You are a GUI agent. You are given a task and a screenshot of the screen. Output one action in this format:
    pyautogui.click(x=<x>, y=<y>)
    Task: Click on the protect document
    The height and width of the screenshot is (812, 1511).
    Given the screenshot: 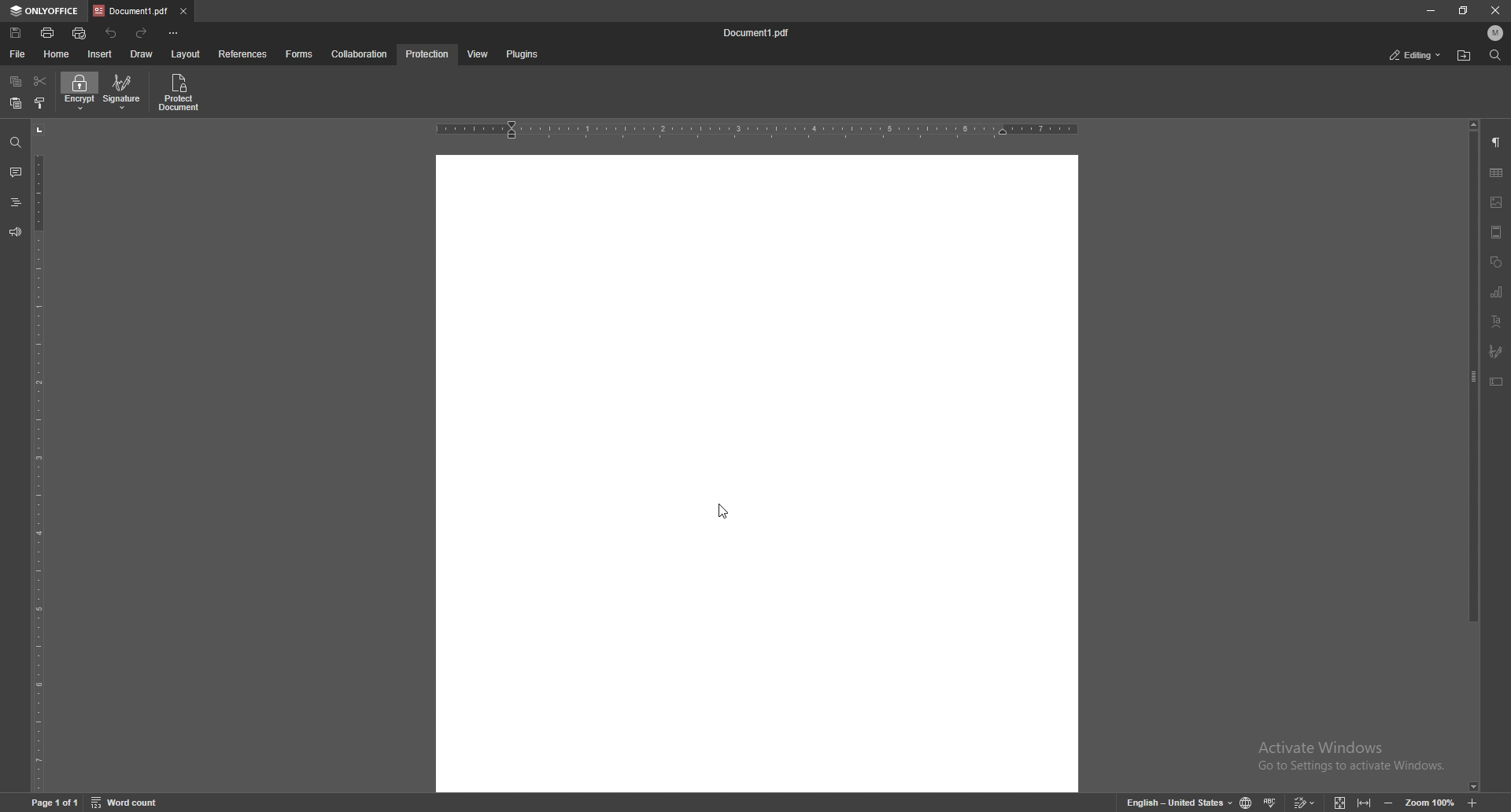 What is the action you would take?
    pyautogui.click(x=179, y=93)
    